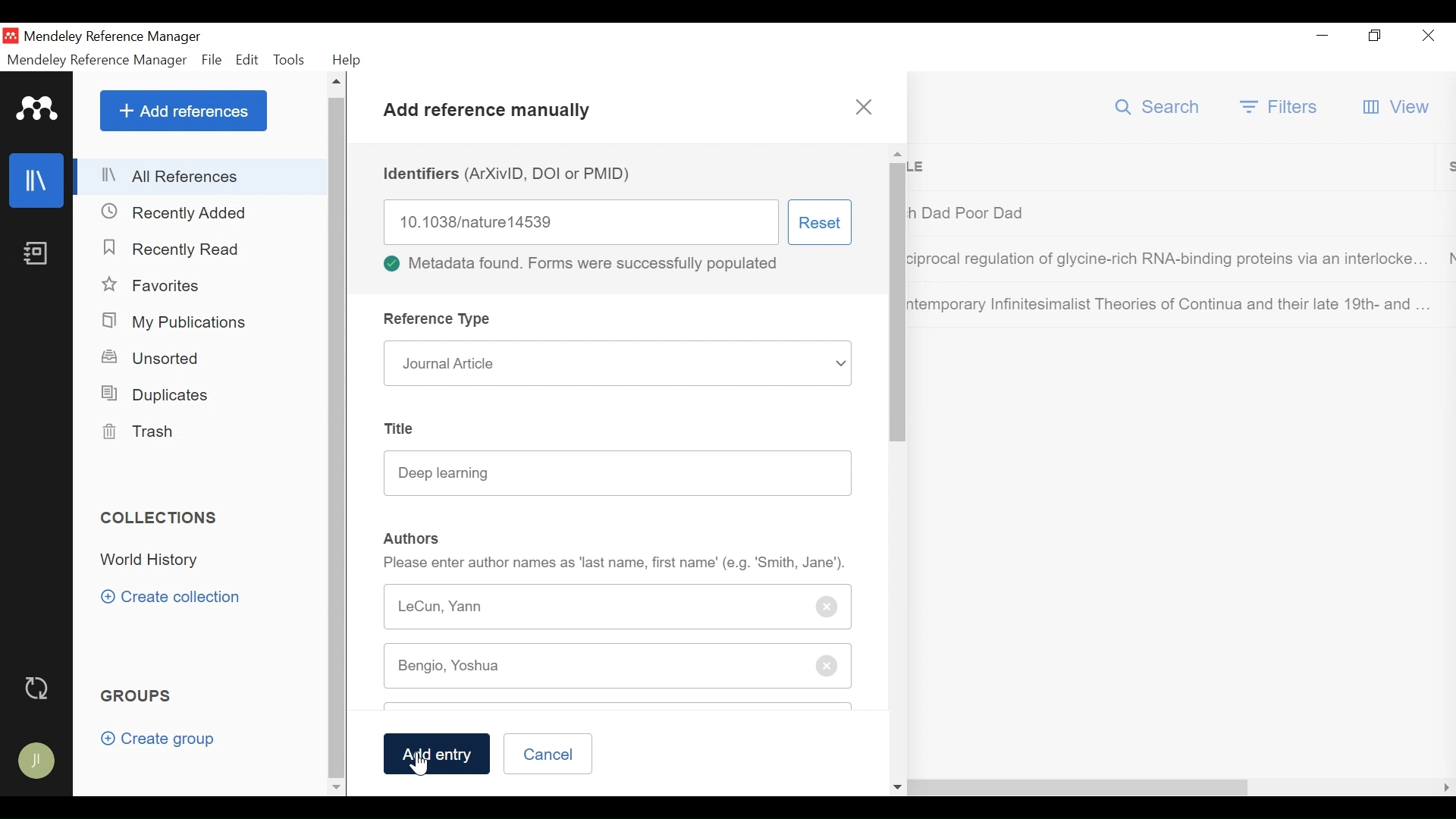 The width and height of the screenshot is (1456, 819). I want to click on Metadata found. Forms were successfully populated, so click(579, 265).